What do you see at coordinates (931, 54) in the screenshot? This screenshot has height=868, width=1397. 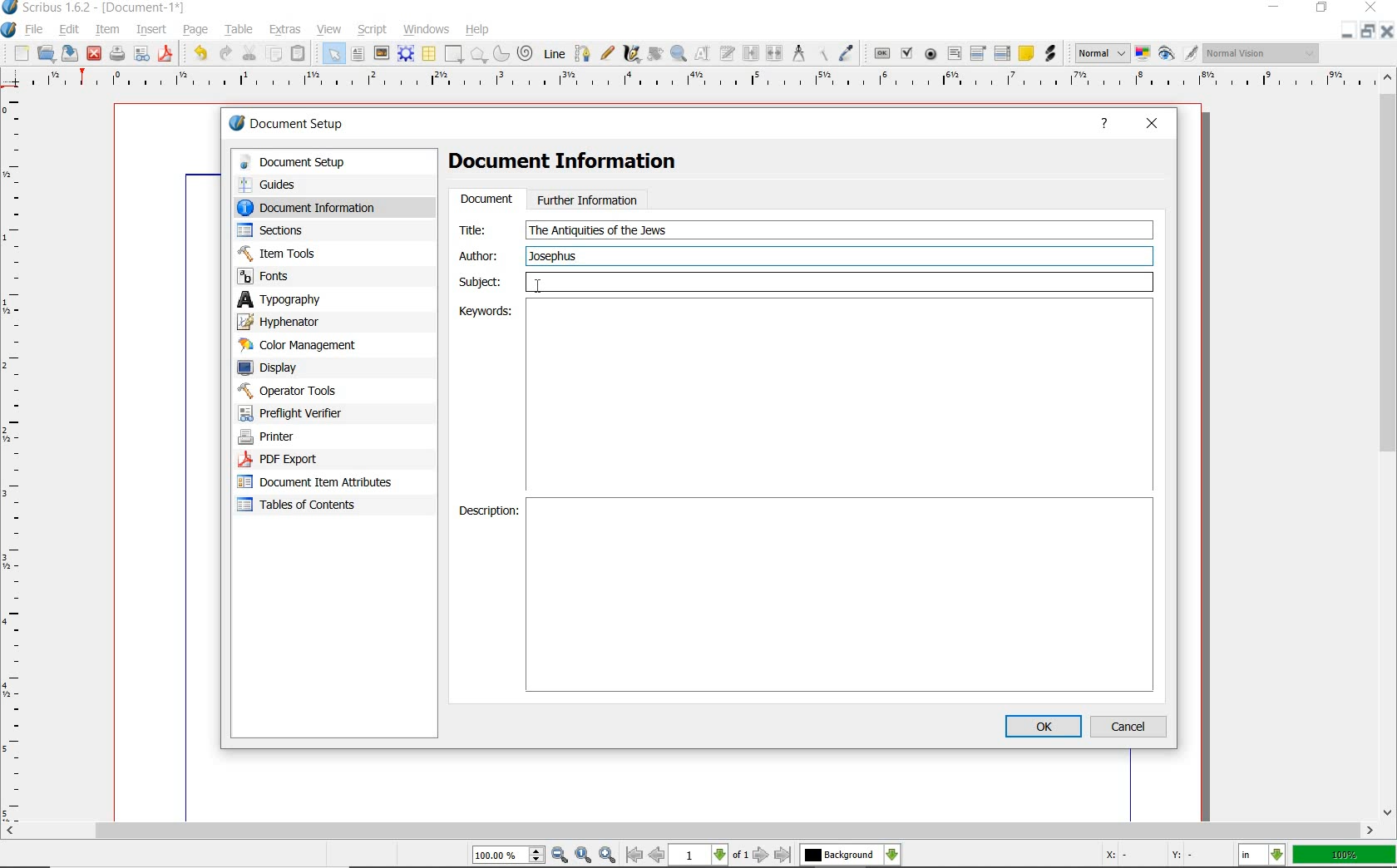 I see `pdf radio button` at bounding box center [931, 54].